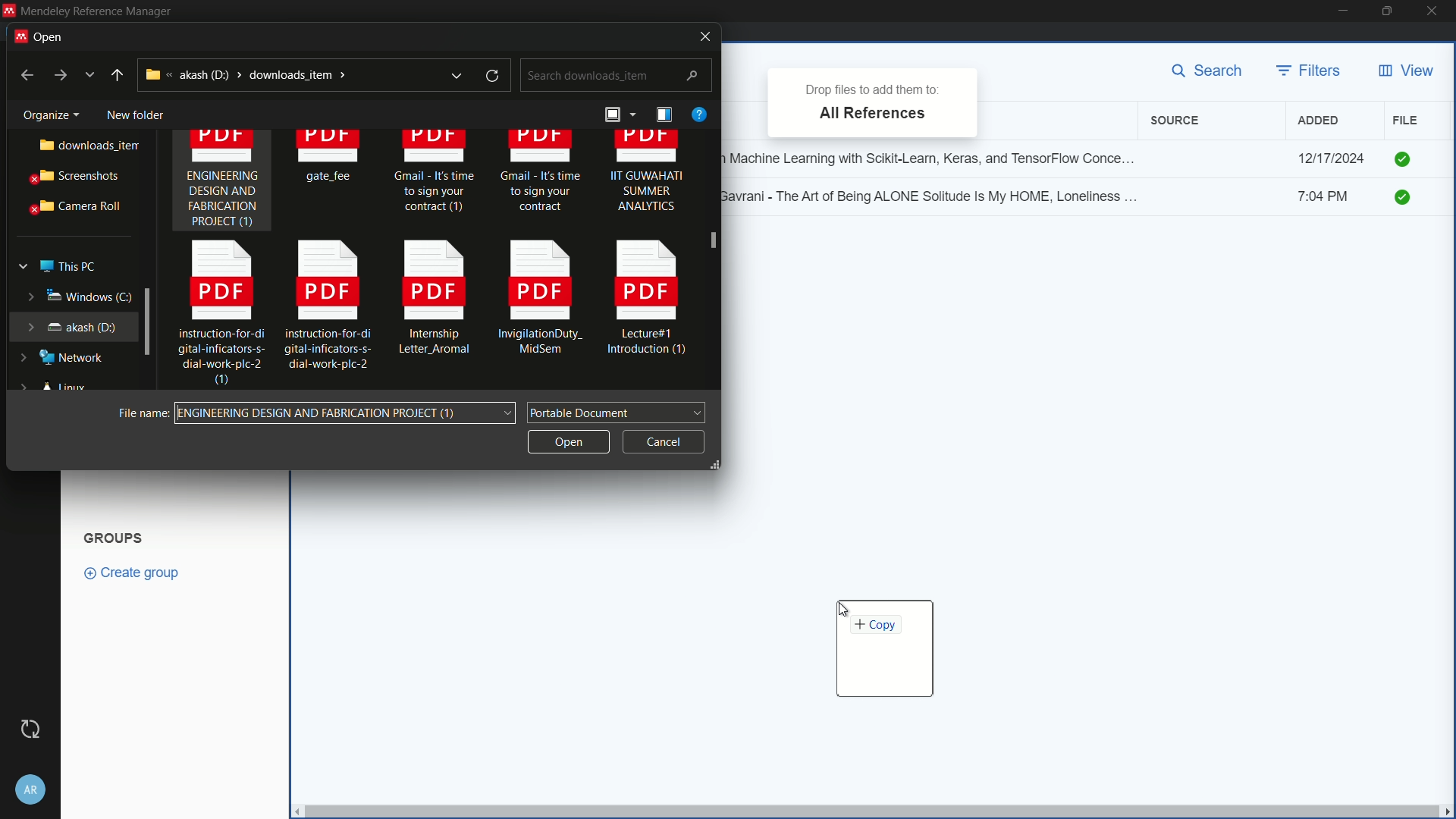 The height and width of the screenshot is (819, 1456). I want to click on Organize, so click(45, 112).